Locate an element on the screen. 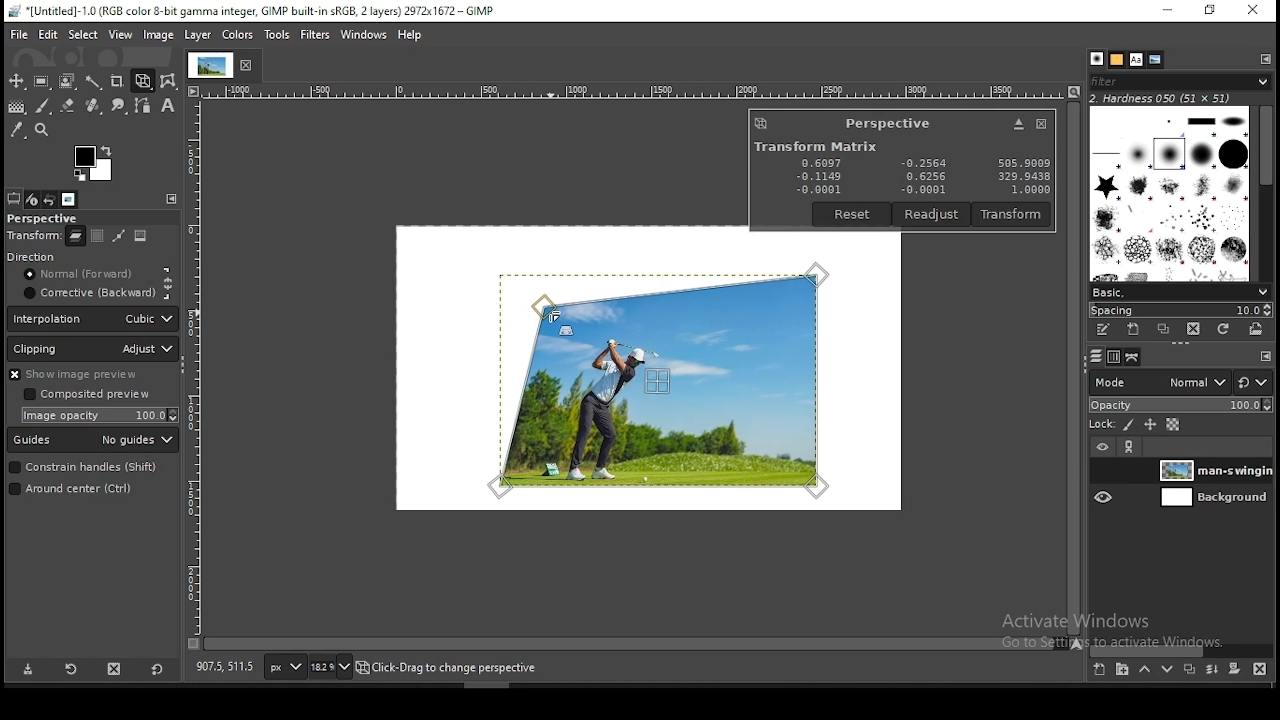 This screenshot has height=720, width=1280. move layer is located at coordinates (97, 236).